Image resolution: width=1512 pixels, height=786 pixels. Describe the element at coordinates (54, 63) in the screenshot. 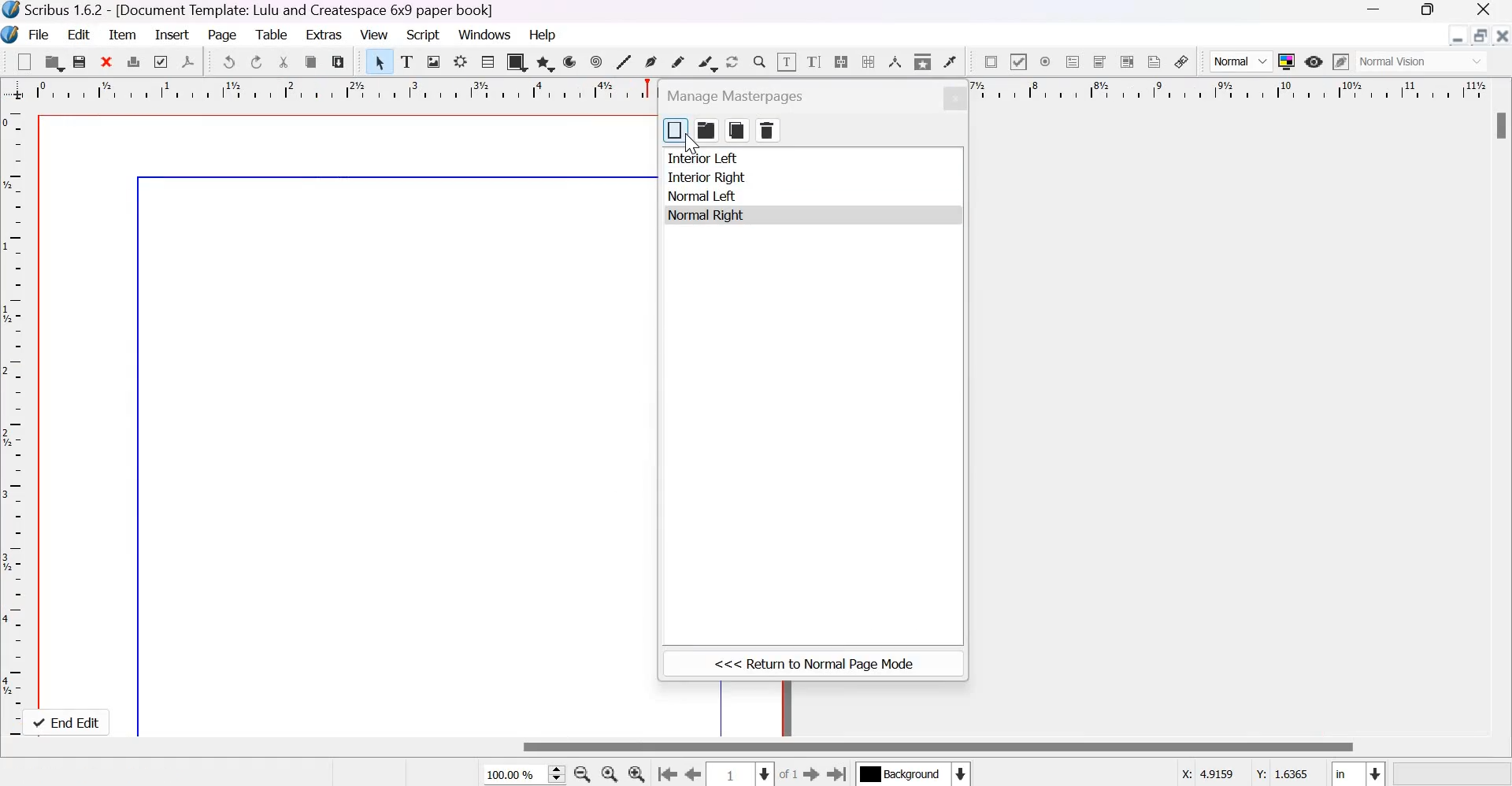

I see `open` at that location.